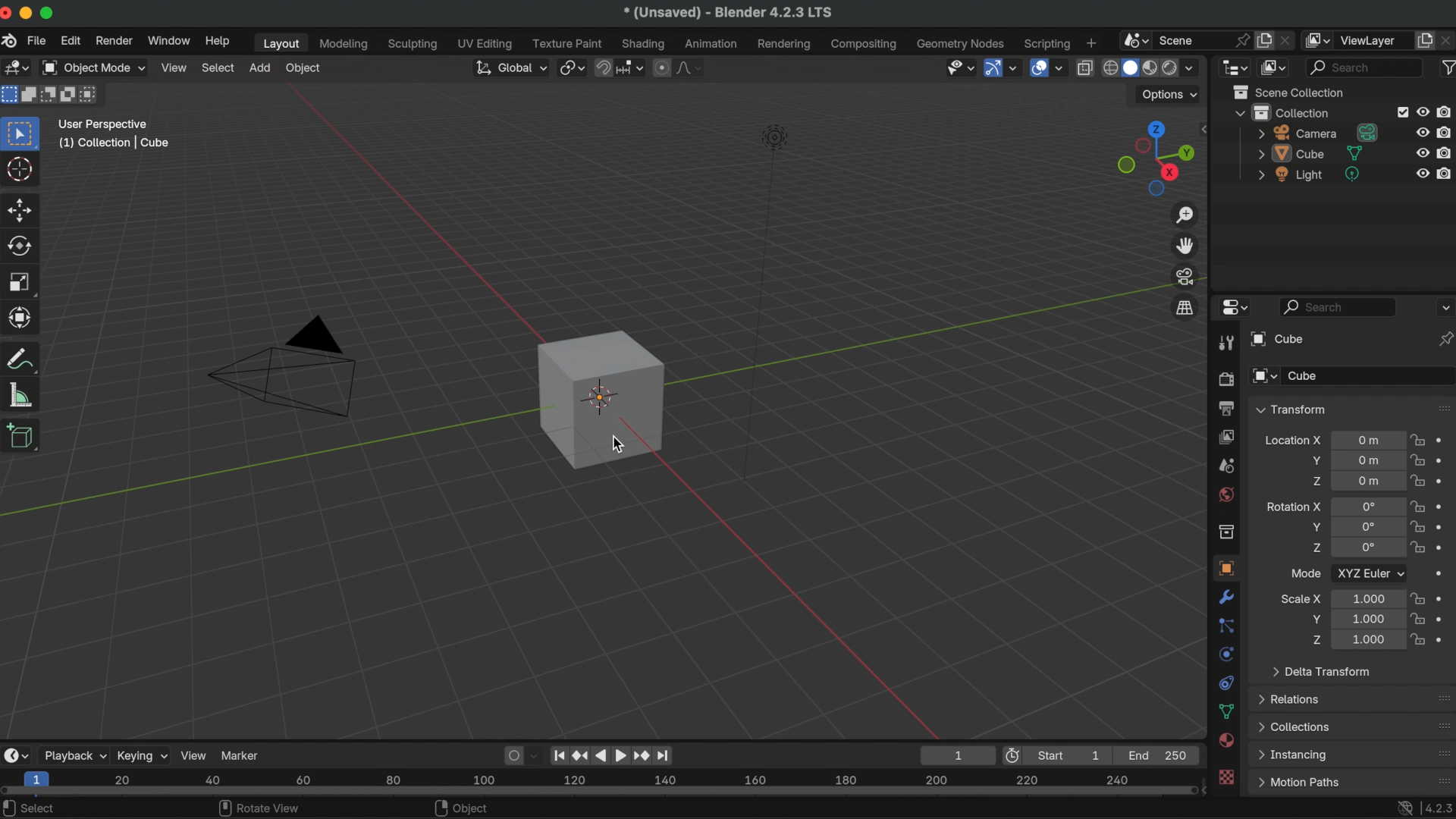  Describe the element at coordinates (1368, 549) in the screenshot. I see `euler rotation` at that location.